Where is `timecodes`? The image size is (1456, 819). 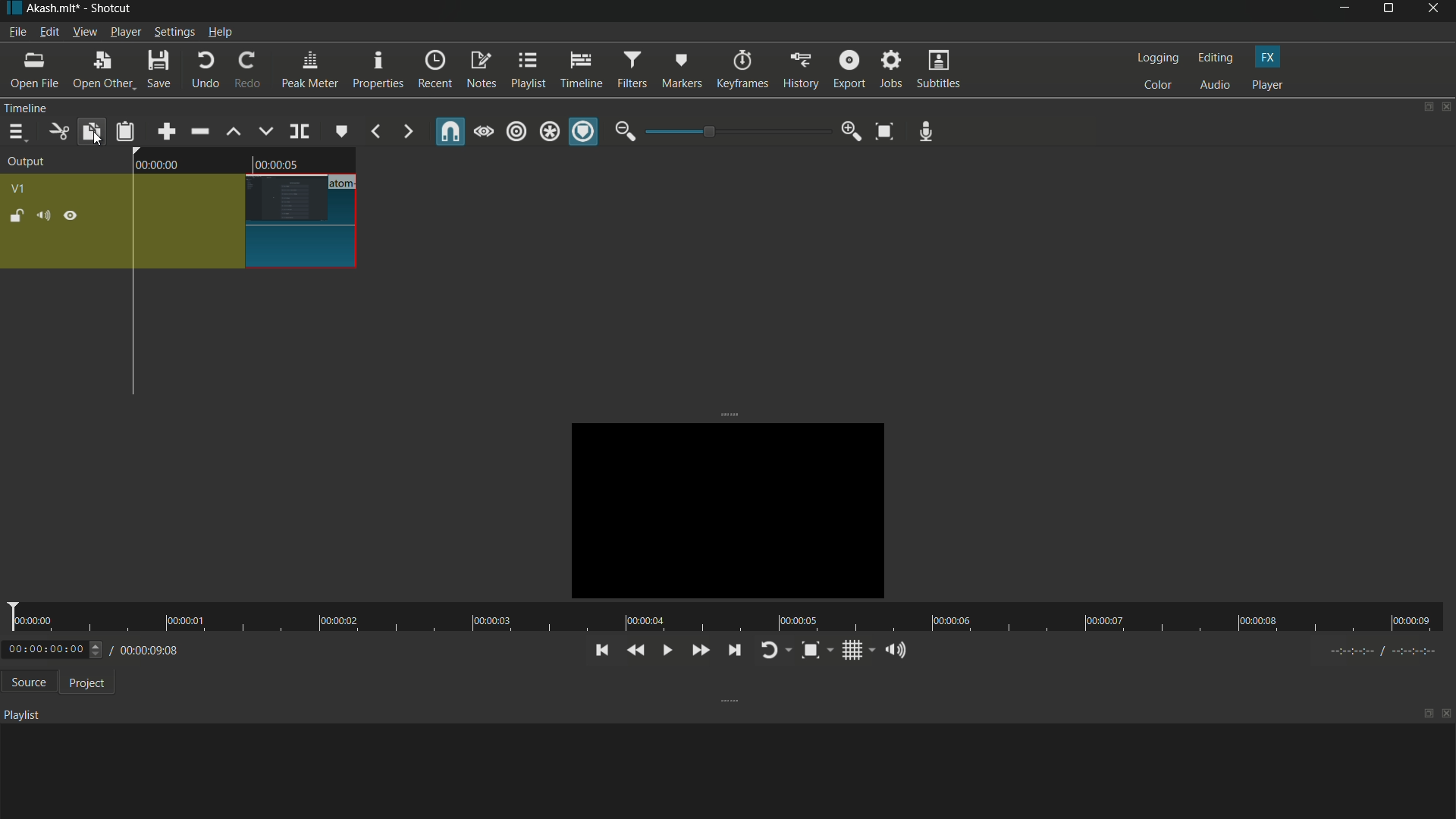 timecodes is located at coordinates (1391, 651).